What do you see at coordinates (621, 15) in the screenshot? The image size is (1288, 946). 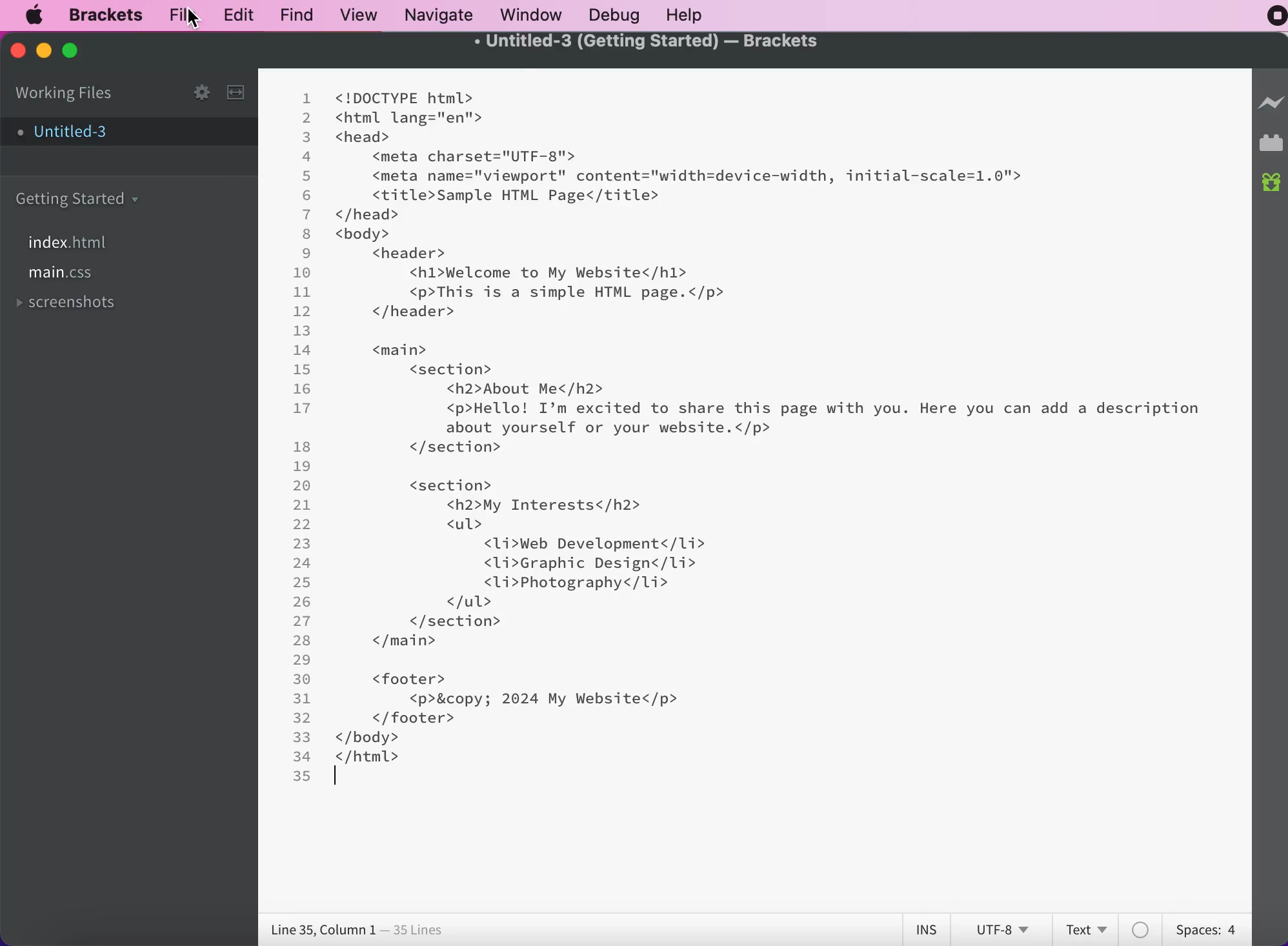 I see `debug` at bounding box center [621, 15].